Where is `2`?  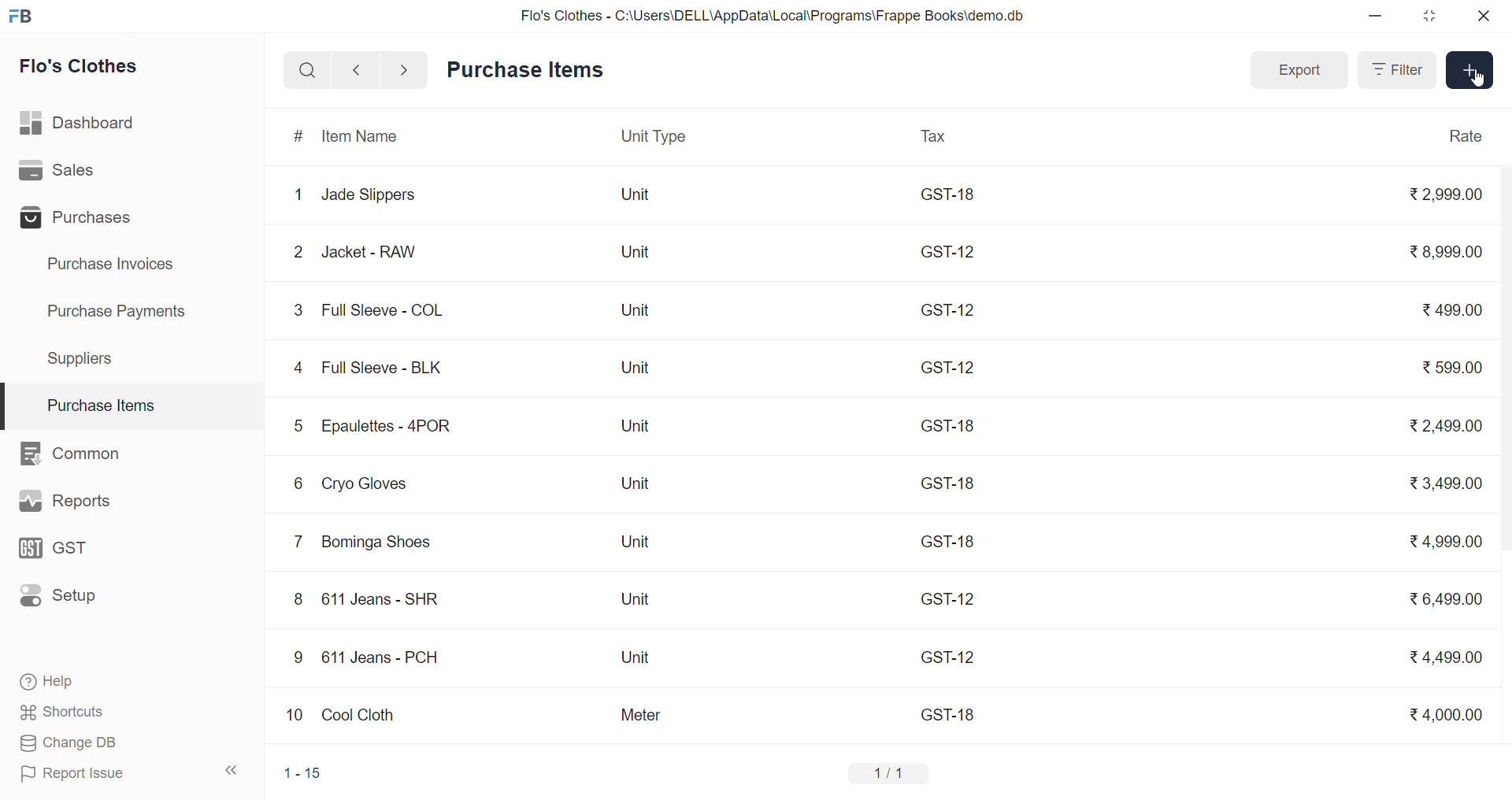 2 is located at coordinates (298, 251).